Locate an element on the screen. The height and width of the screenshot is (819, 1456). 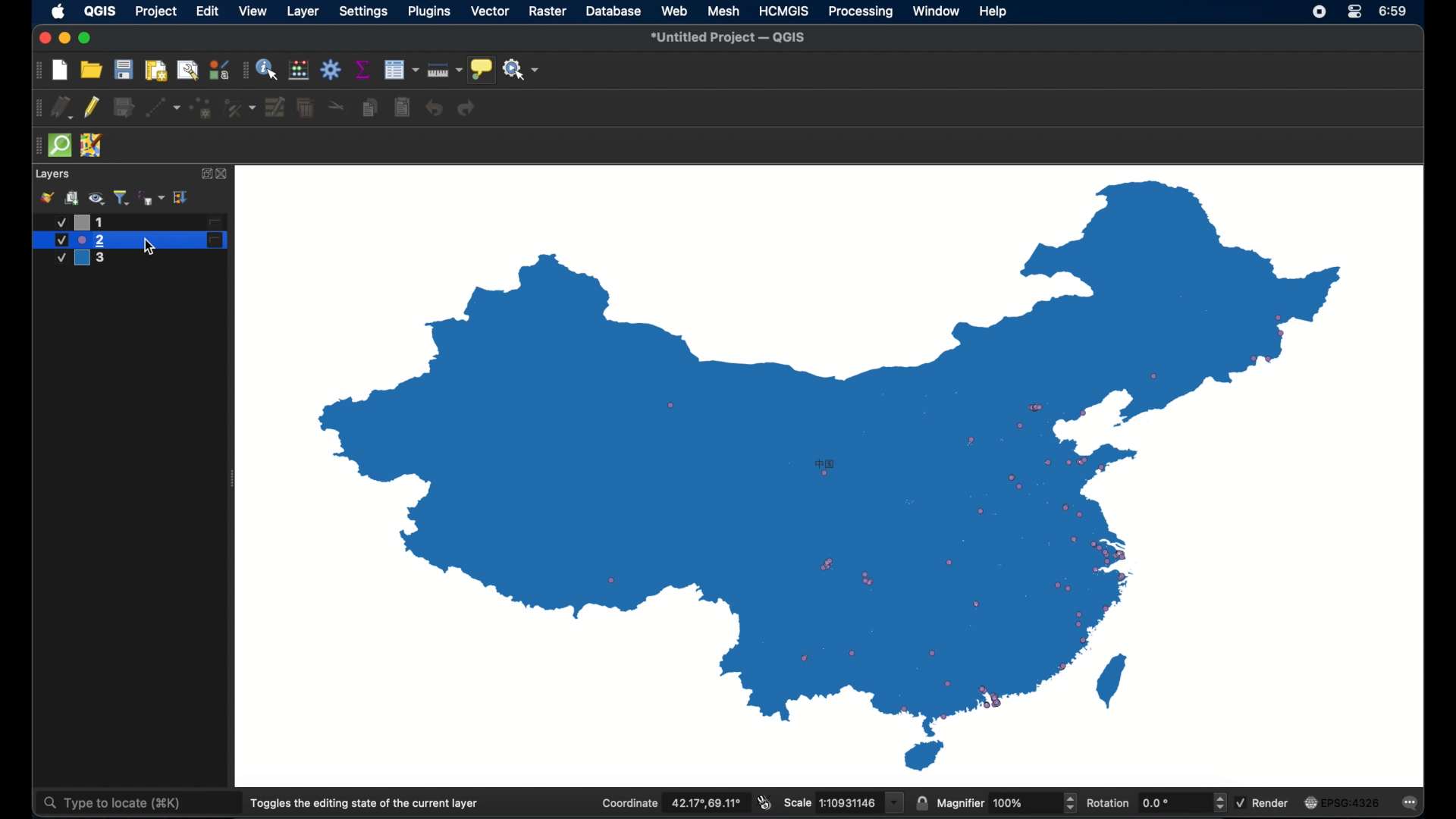
print layout is located at coordinates (156, 71).